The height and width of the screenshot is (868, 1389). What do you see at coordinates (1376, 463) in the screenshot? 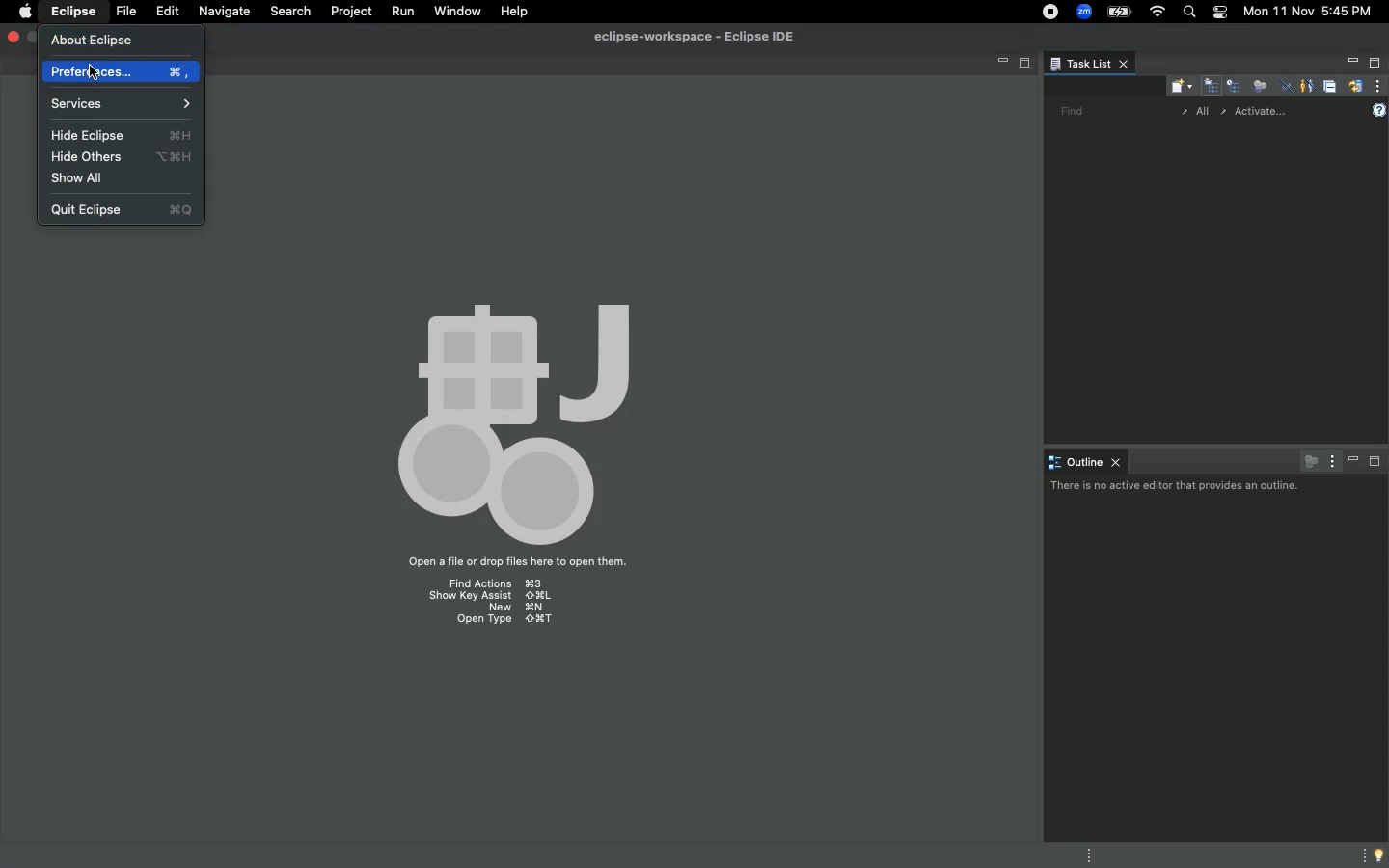
I see `Maximize` at bounding box center [1376, 463].